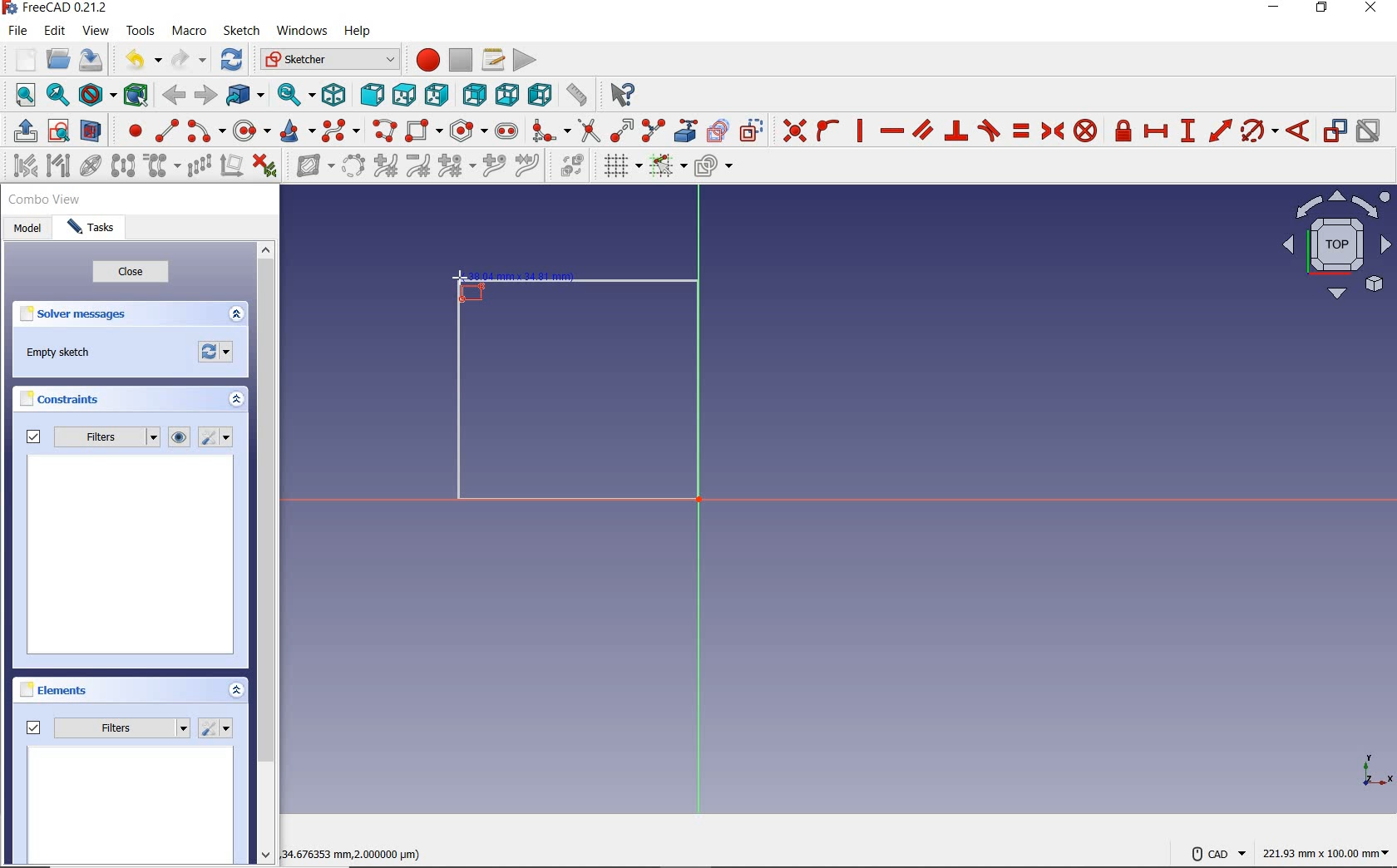  What do you see at coordinates (578, 396) in the screenshot?
I see `sketch in progress` at bounding box center [578, 396].